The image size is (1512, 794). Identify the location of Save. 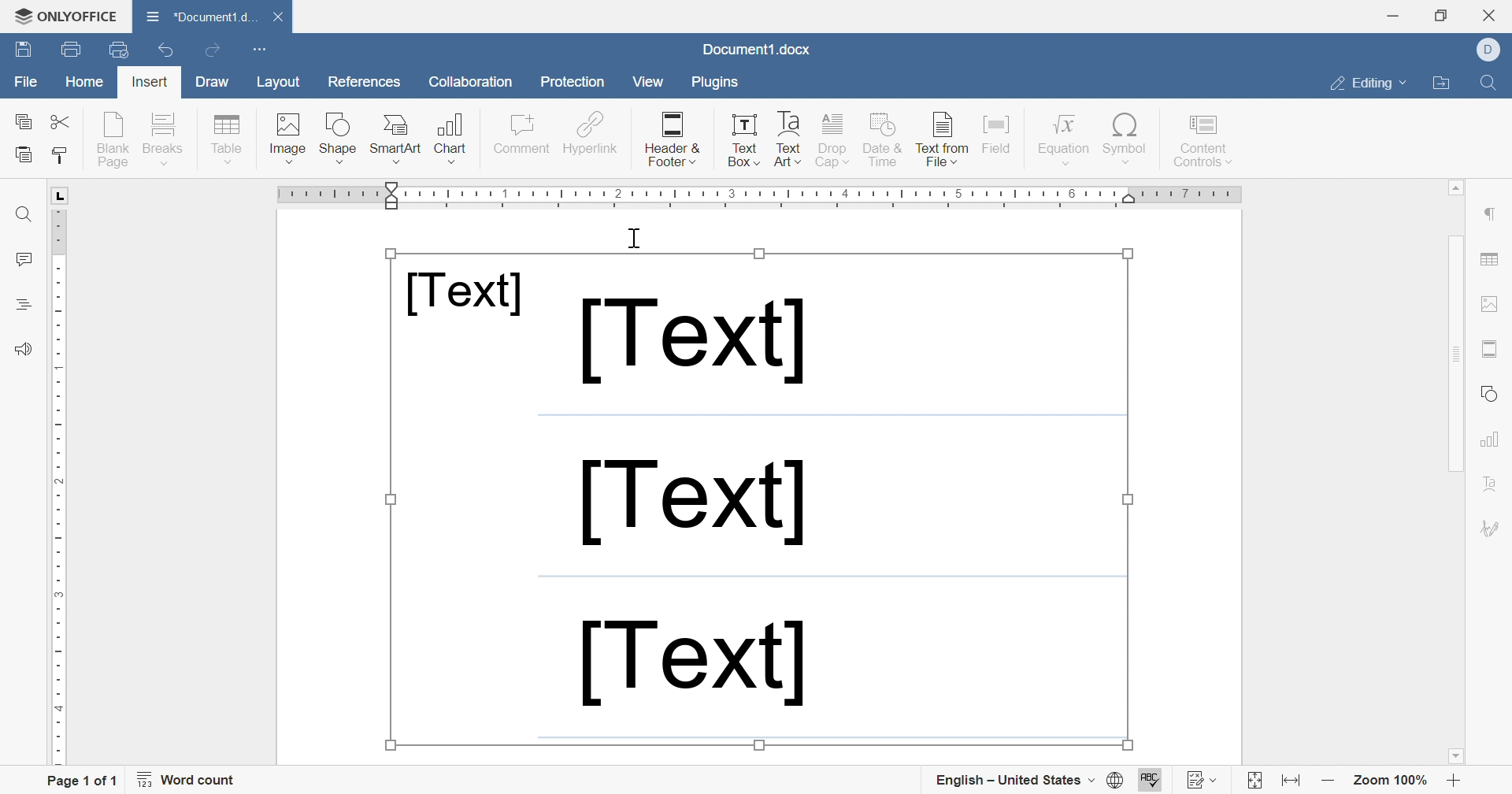
(21, 49).